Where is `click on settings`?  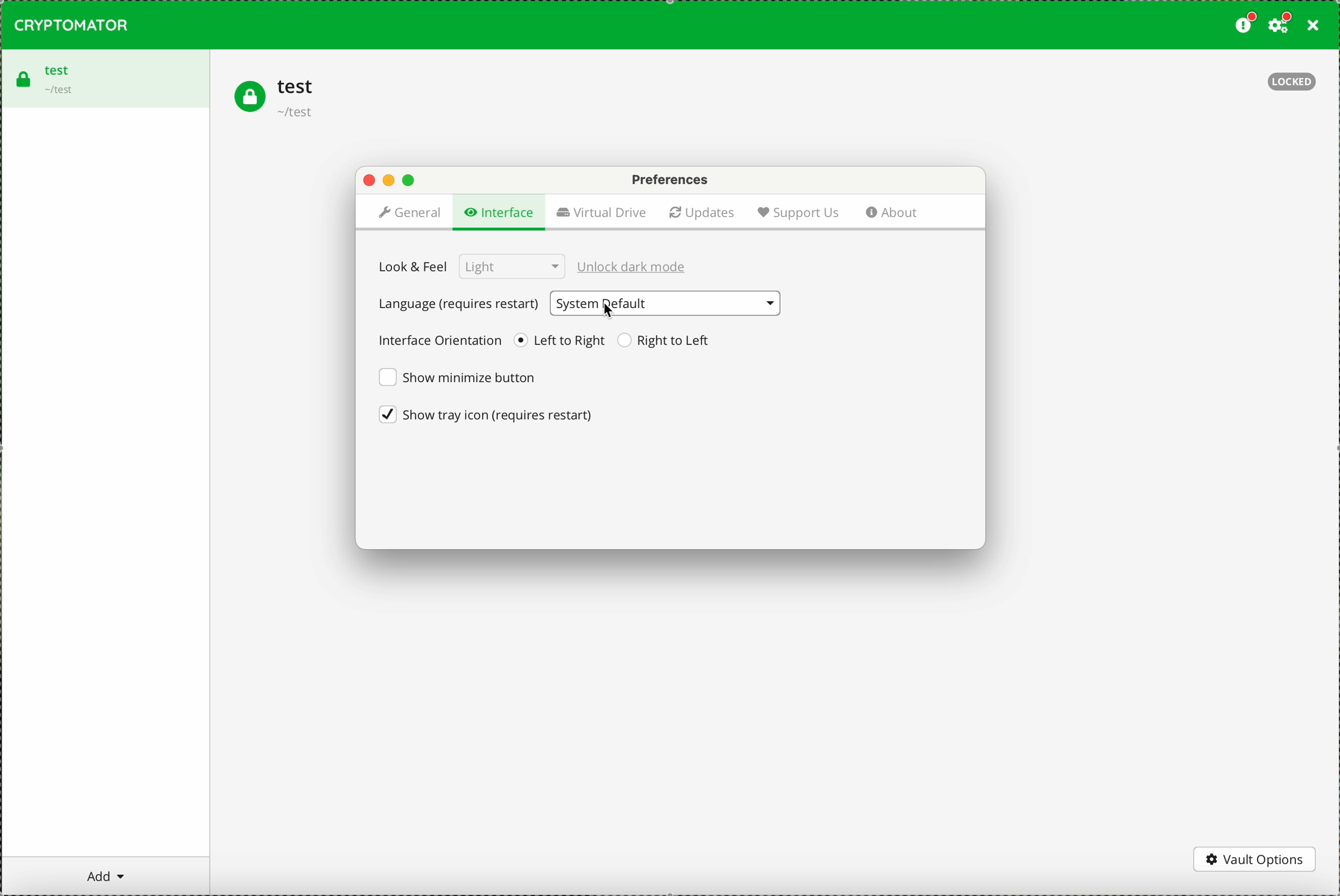 click on settings is located at coordinates (1281, 26).